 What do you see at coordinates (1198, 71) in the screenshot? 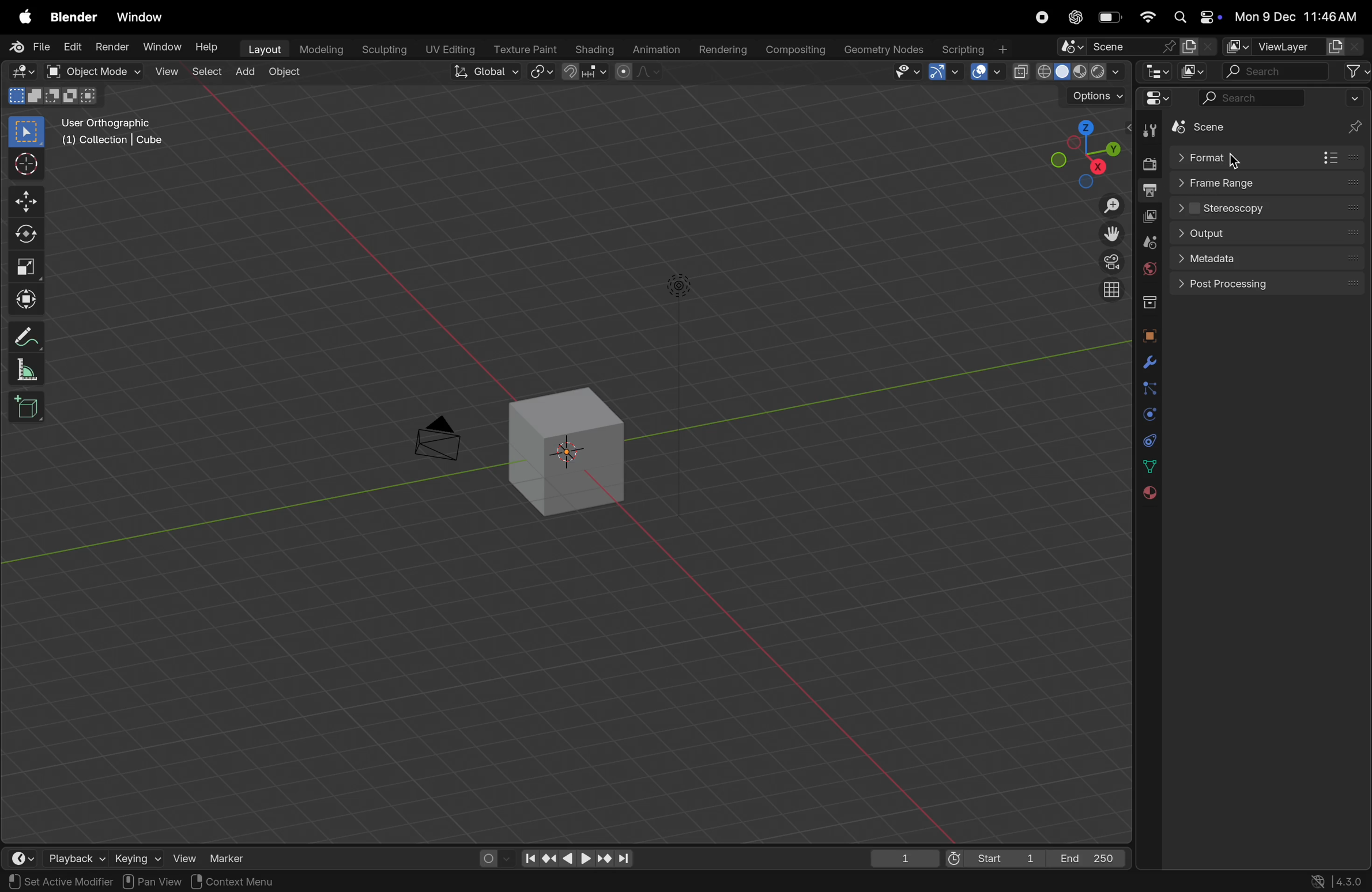
I see `display mode` at bounding box center [1198, 71].